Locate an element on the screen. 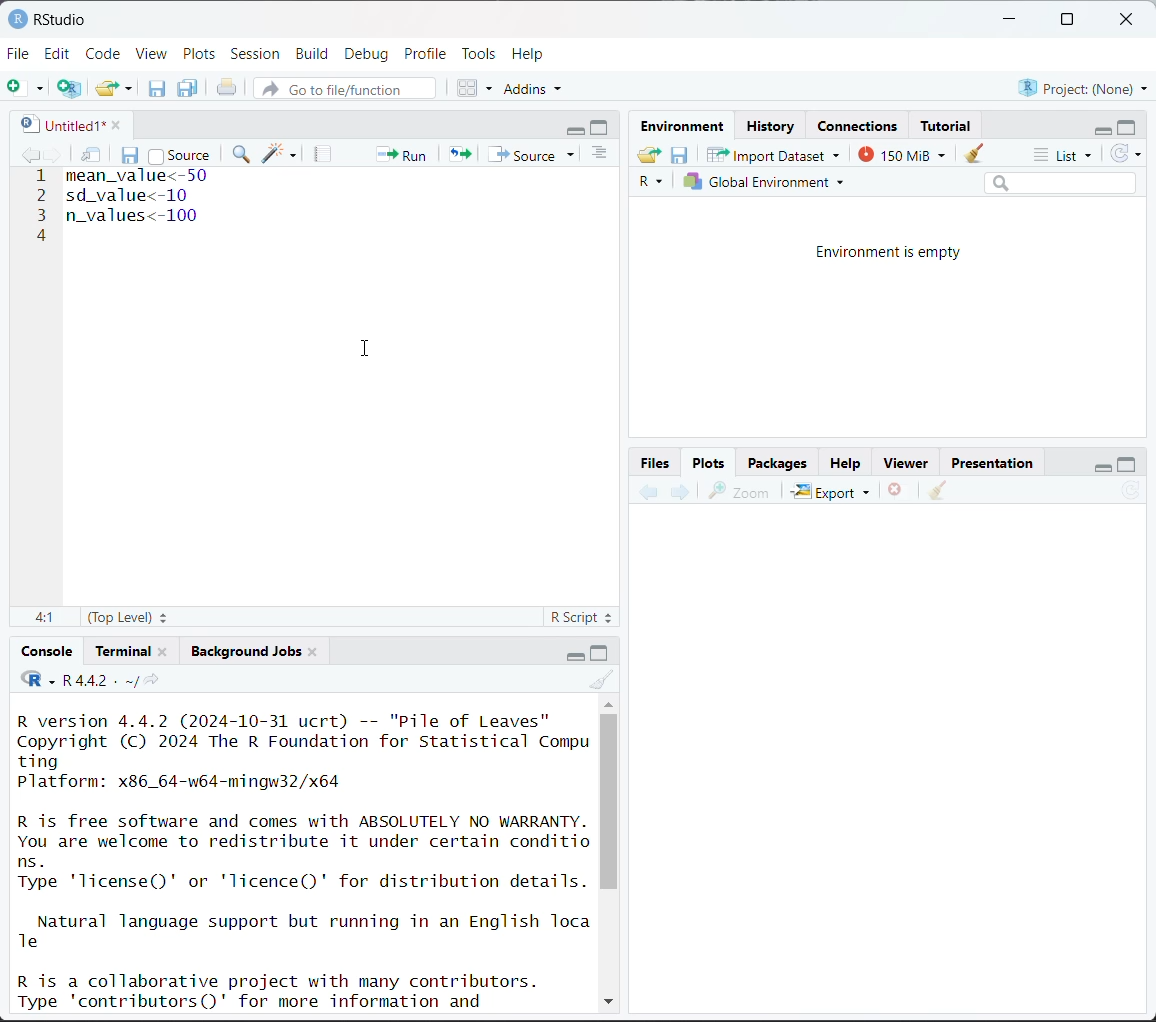  addins is located at coordinates (536, 88).